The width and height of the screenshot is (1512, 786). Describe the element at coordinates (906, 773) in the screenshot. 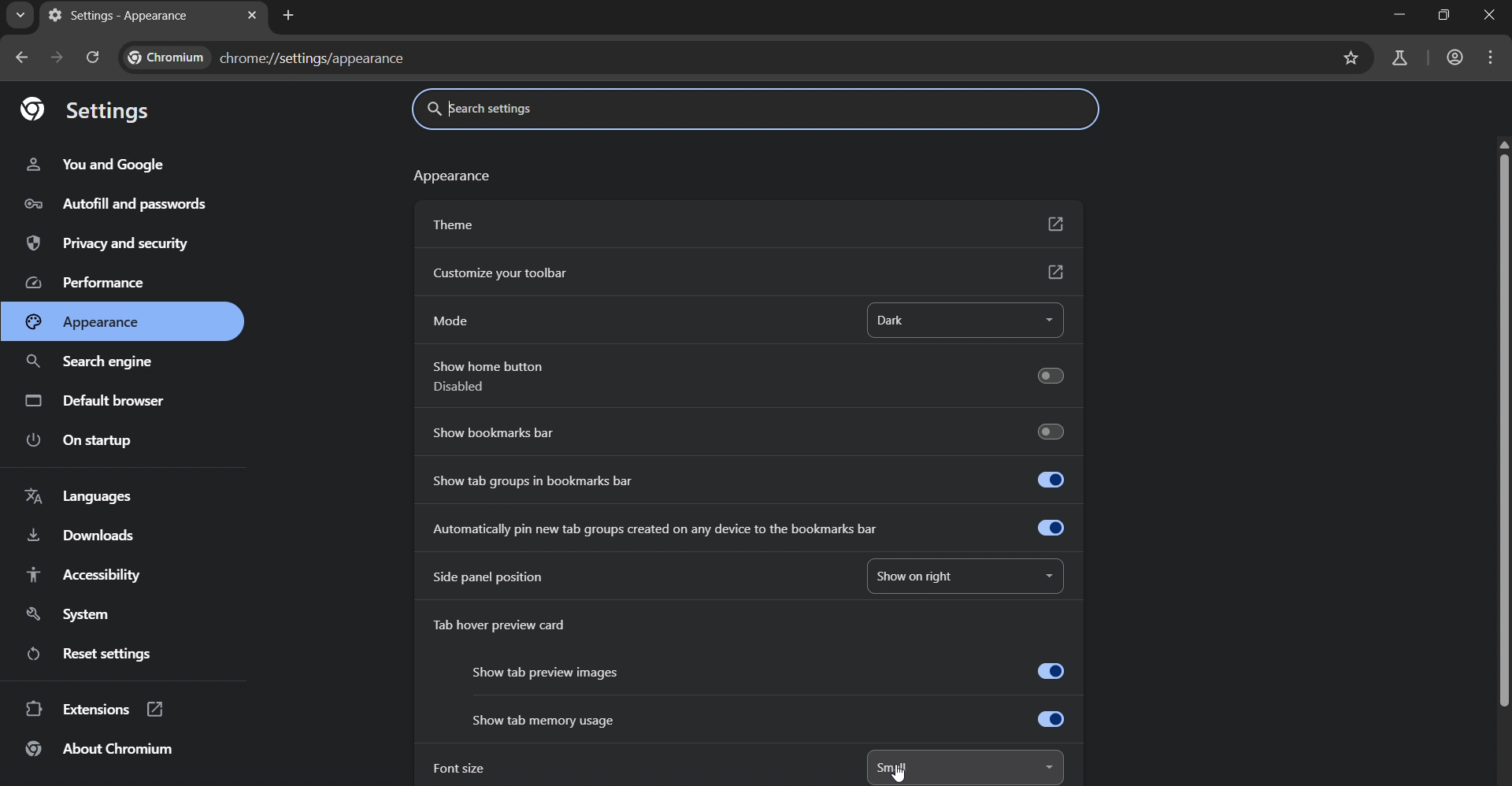

I see `cursor` at that location.